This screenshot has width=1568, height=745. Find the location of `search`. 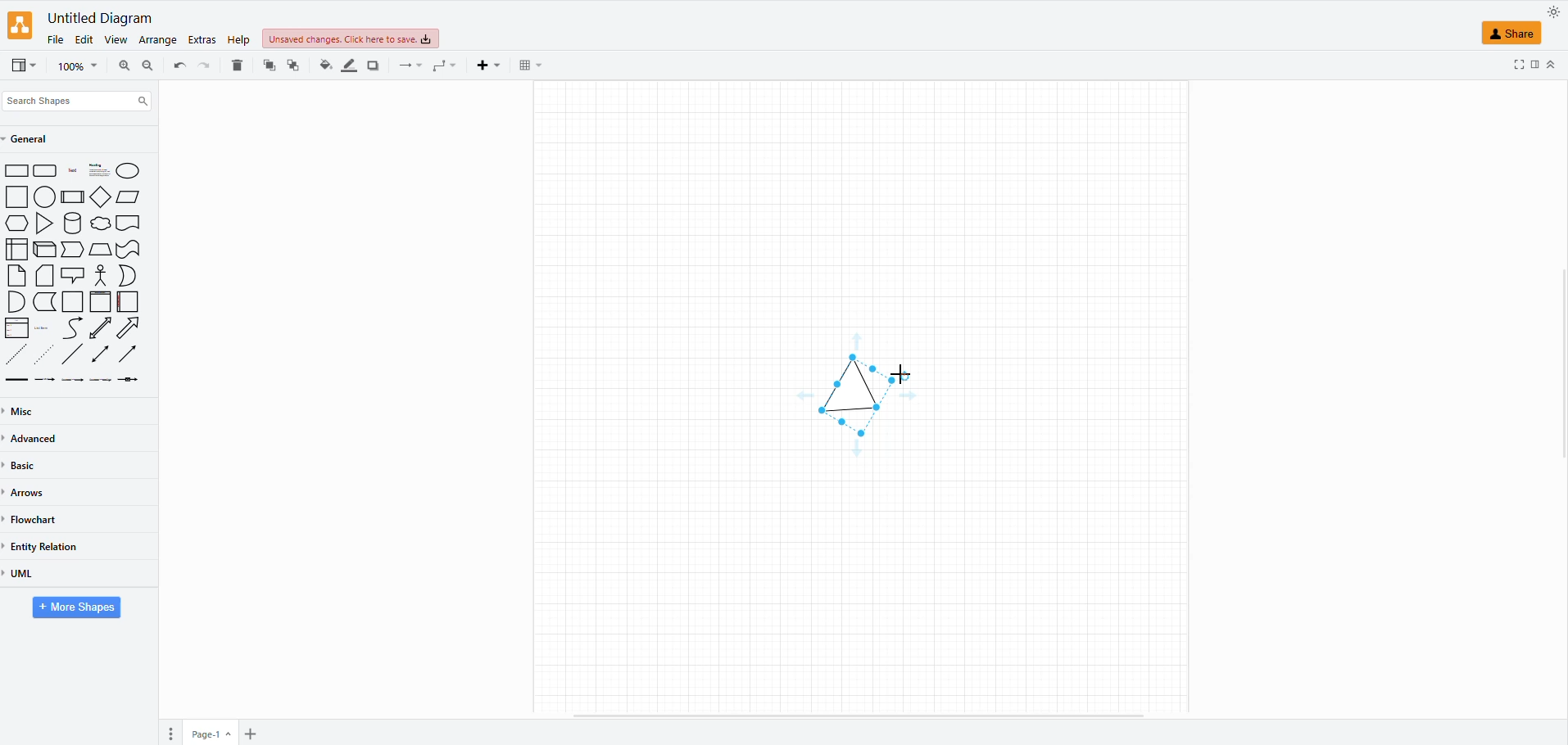

search is located at coordinates (79, 97).